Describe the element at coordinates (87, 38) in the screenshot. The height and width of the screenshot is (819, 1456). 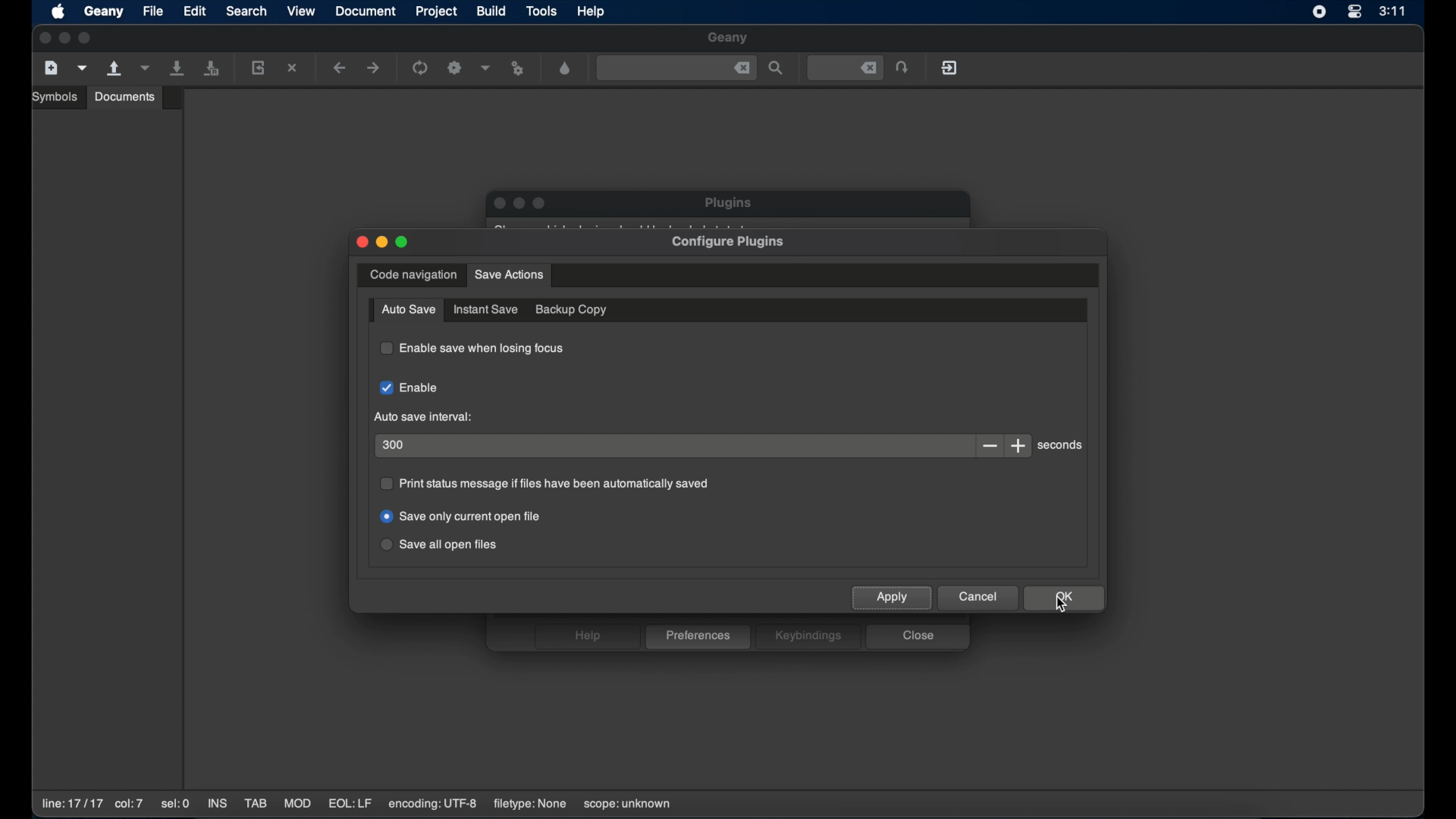
I see `maximize` at that location.